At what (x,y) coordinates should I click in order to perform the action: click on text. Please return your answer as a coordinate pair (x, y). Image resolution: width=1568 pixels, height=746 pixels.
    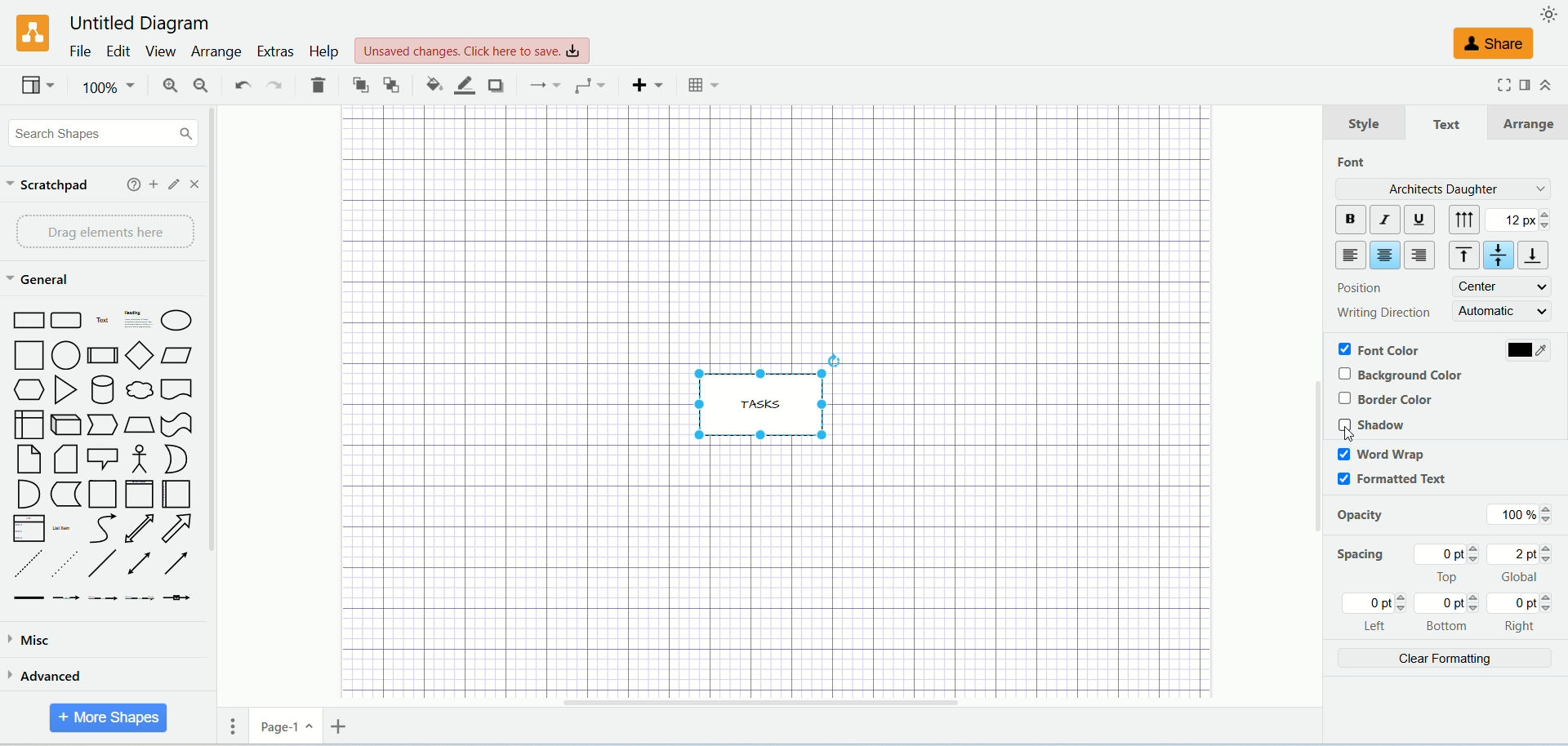
    Looking at the image, I should click on (1447, 125).